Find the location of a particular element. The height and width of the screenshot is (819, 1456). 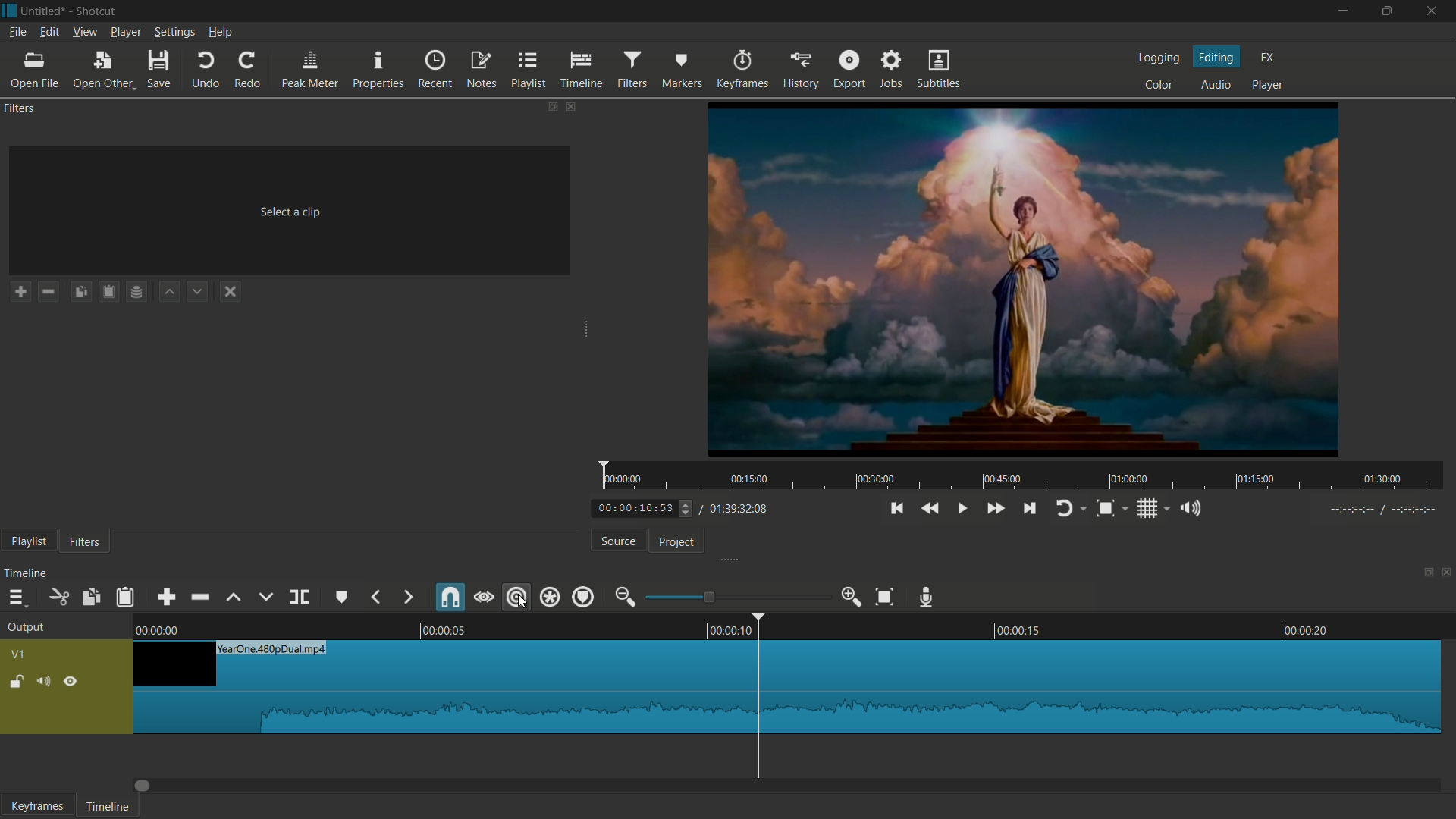

player is located at coordinates (1269, 86).